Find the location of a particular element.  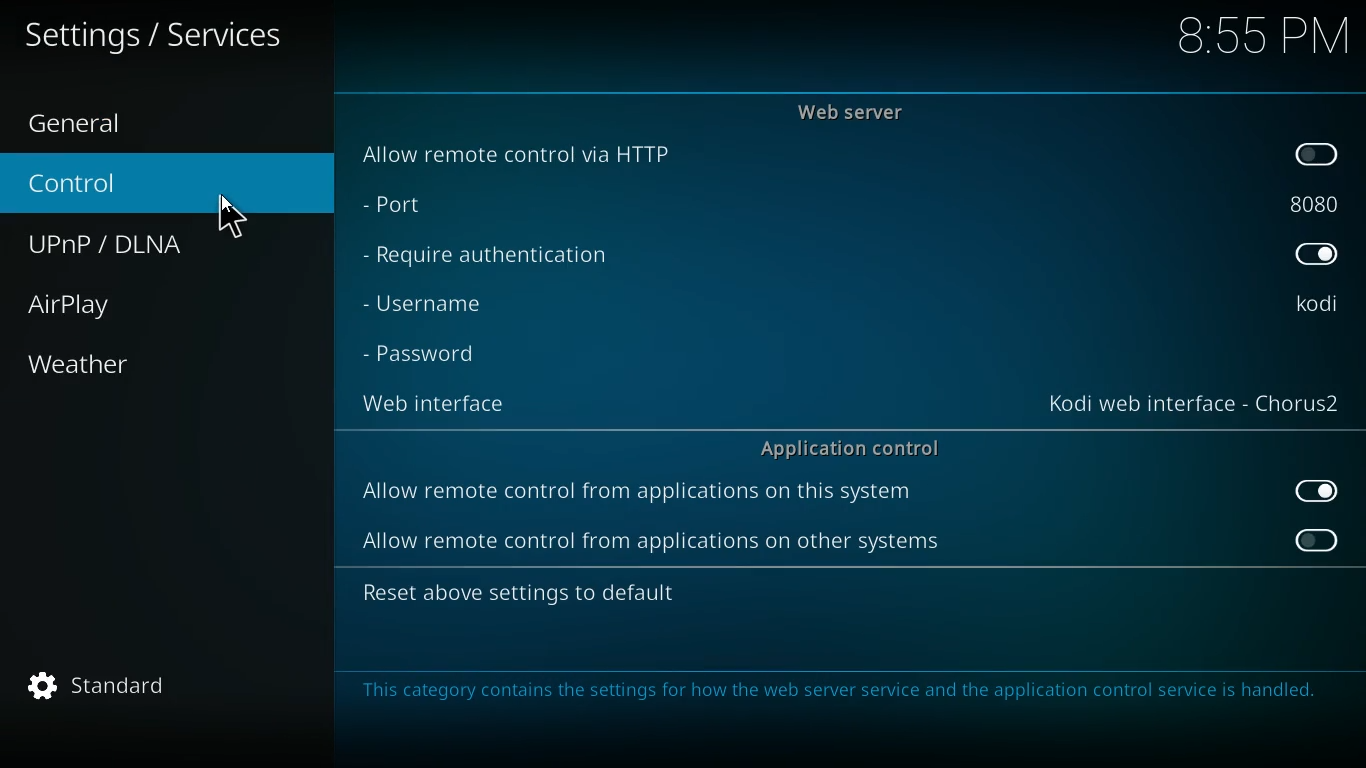

off is located at coordinates (1319, 155).